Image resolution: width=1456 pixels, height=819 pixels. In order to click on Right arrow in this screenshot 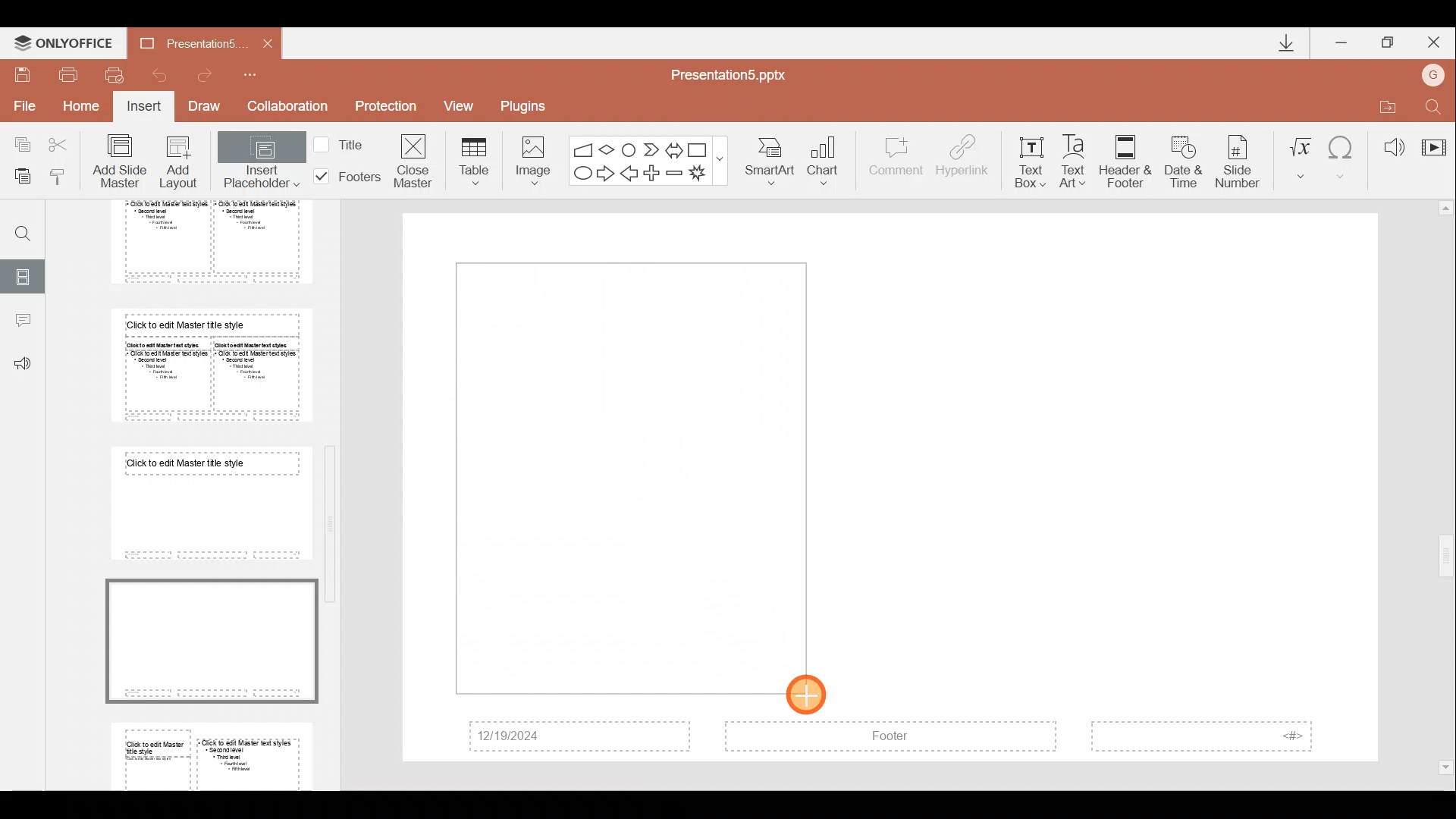, I will do `click(605, 174)`.